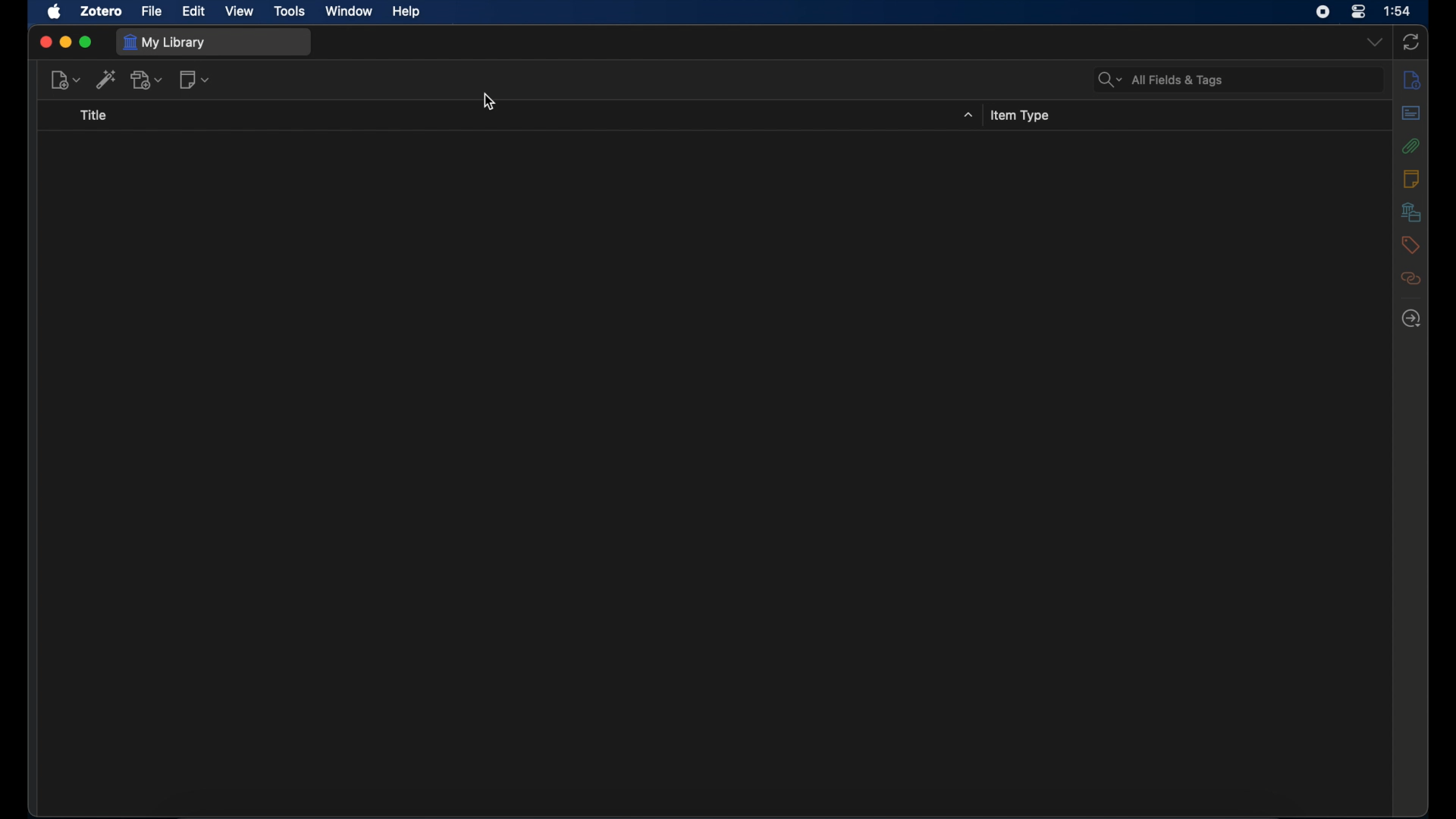  I want to click on window, so click(350, 11).